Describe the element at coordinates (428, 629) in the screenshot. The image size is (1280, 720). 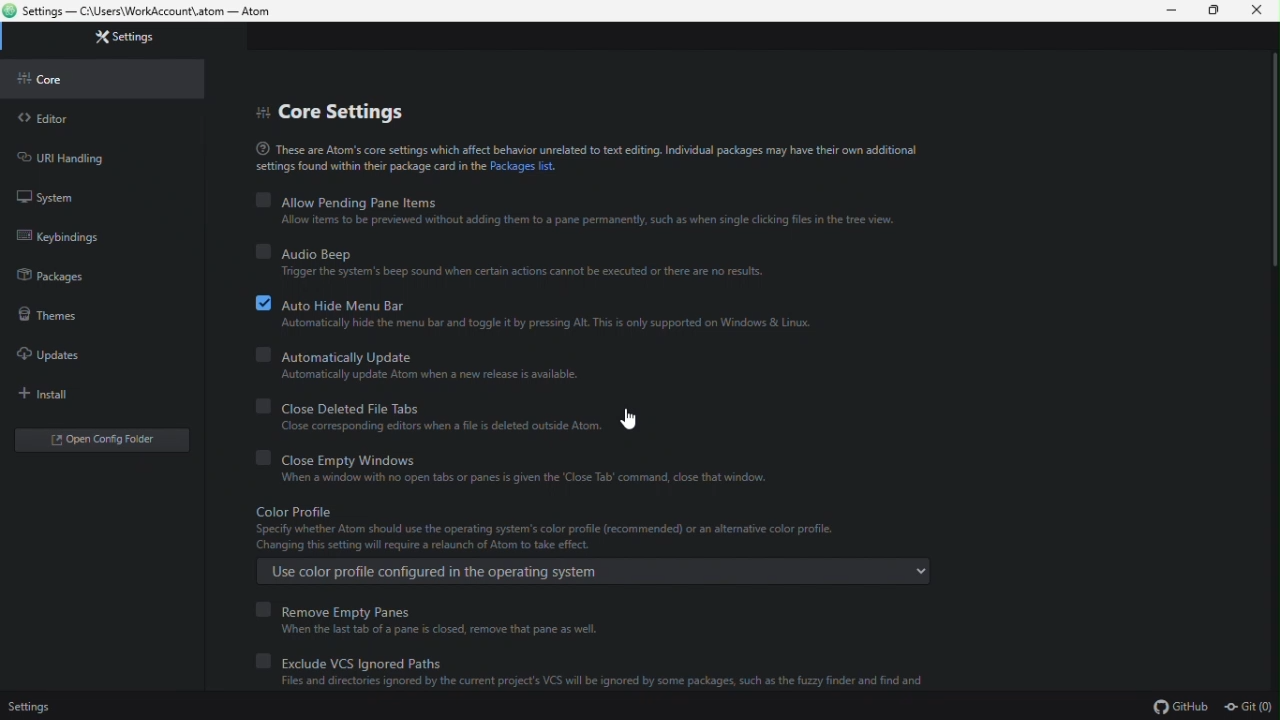
I see `when the last tab of a pane is closed remove that pane as well.` at that location.